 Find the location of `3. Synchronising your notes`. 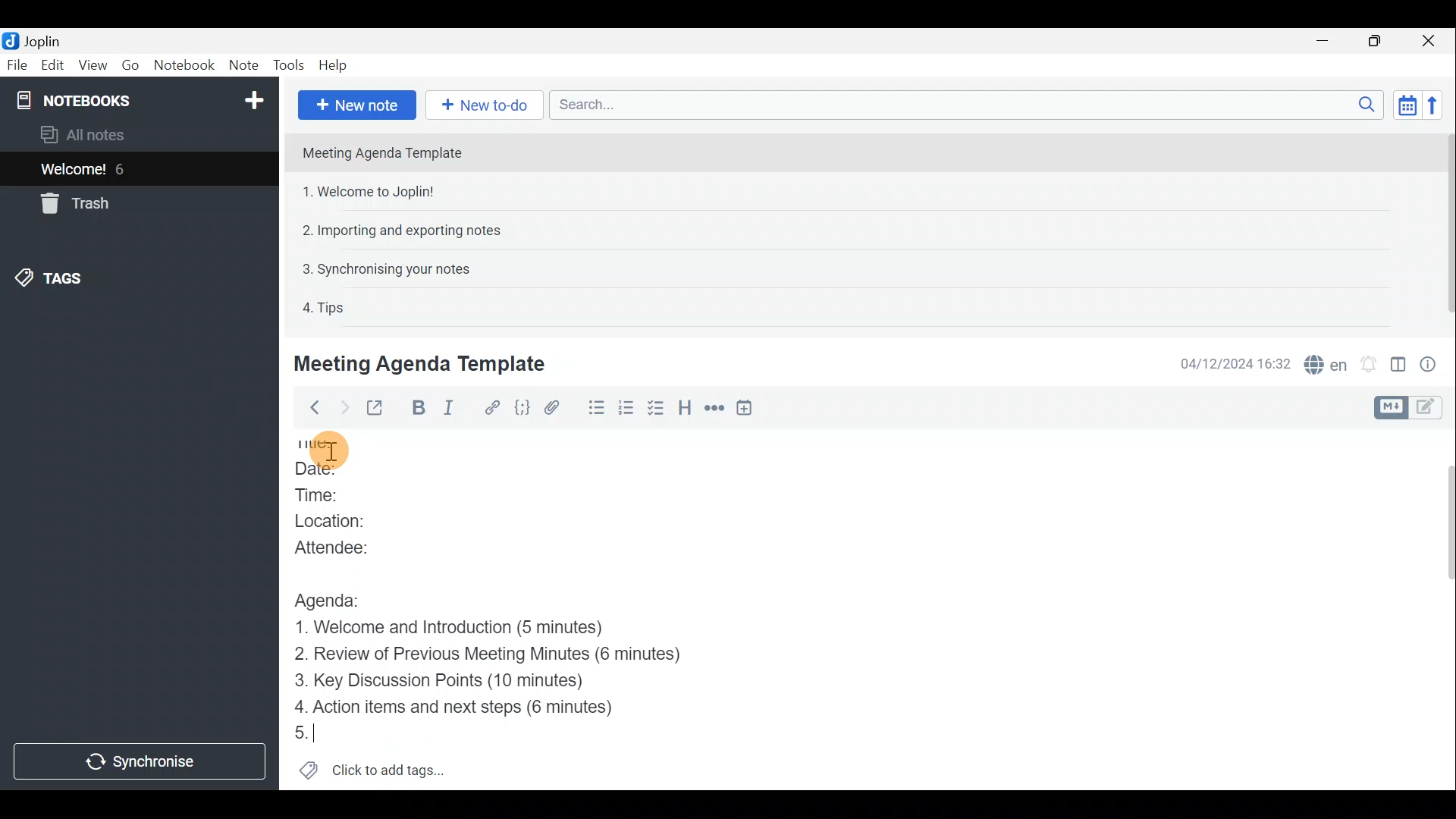

3. Synchronising your notes is located at coordinates (386, 268).